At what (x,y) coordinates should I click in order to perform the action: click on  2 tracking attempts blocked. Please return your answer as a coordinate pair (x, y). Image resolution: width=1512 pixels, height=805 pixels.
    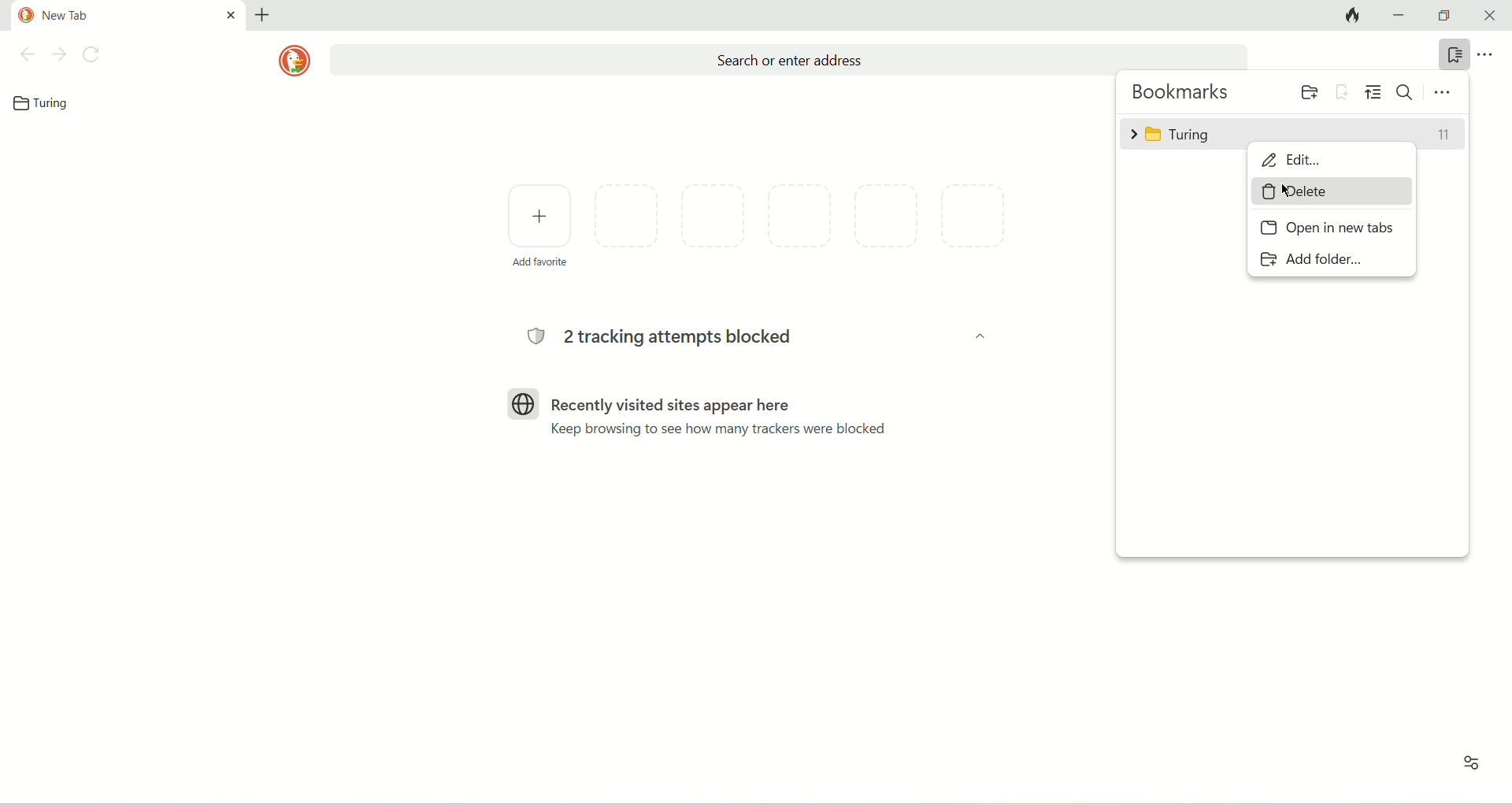
    Looking at the image, I should click on (668, 338).